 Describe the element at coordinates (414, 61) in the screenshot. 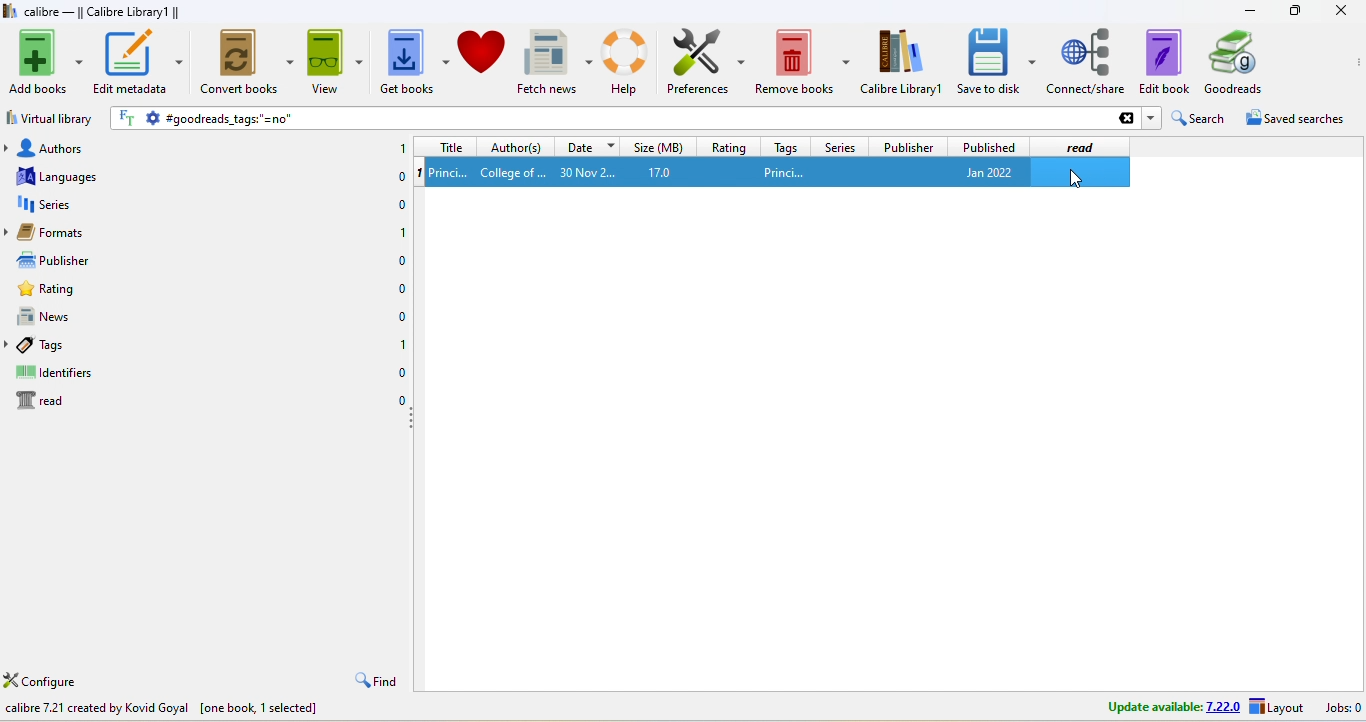

I see `get books` at that location.